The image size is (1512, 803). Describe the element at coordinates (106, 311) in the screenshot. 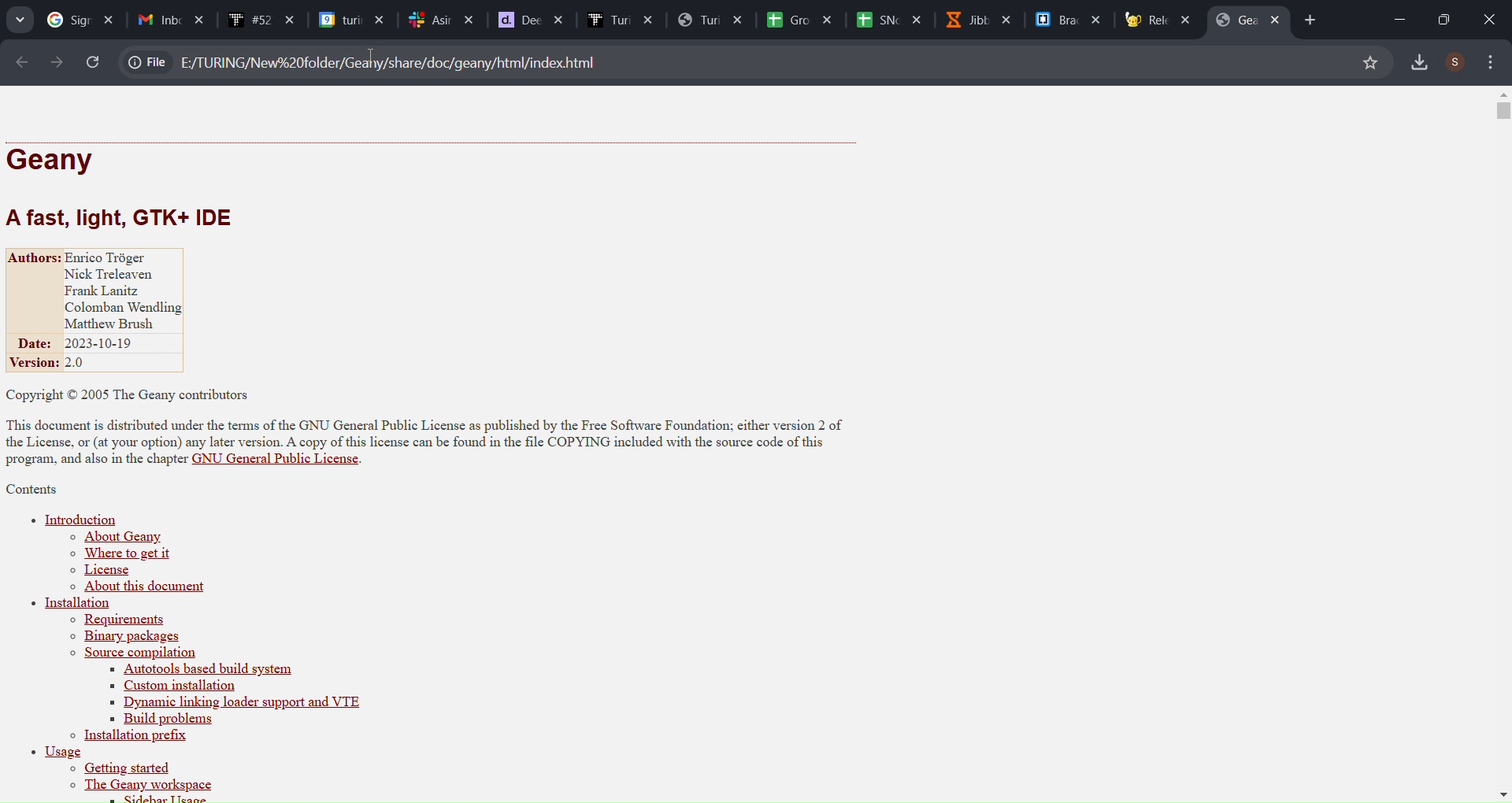

I see `Authors: Enrico Troger
Nick Treleaven
Frank Lanitz
Colomban Wendling
Matthew Brush
Date: 2023-10-19
Version: 2.0` at that location.